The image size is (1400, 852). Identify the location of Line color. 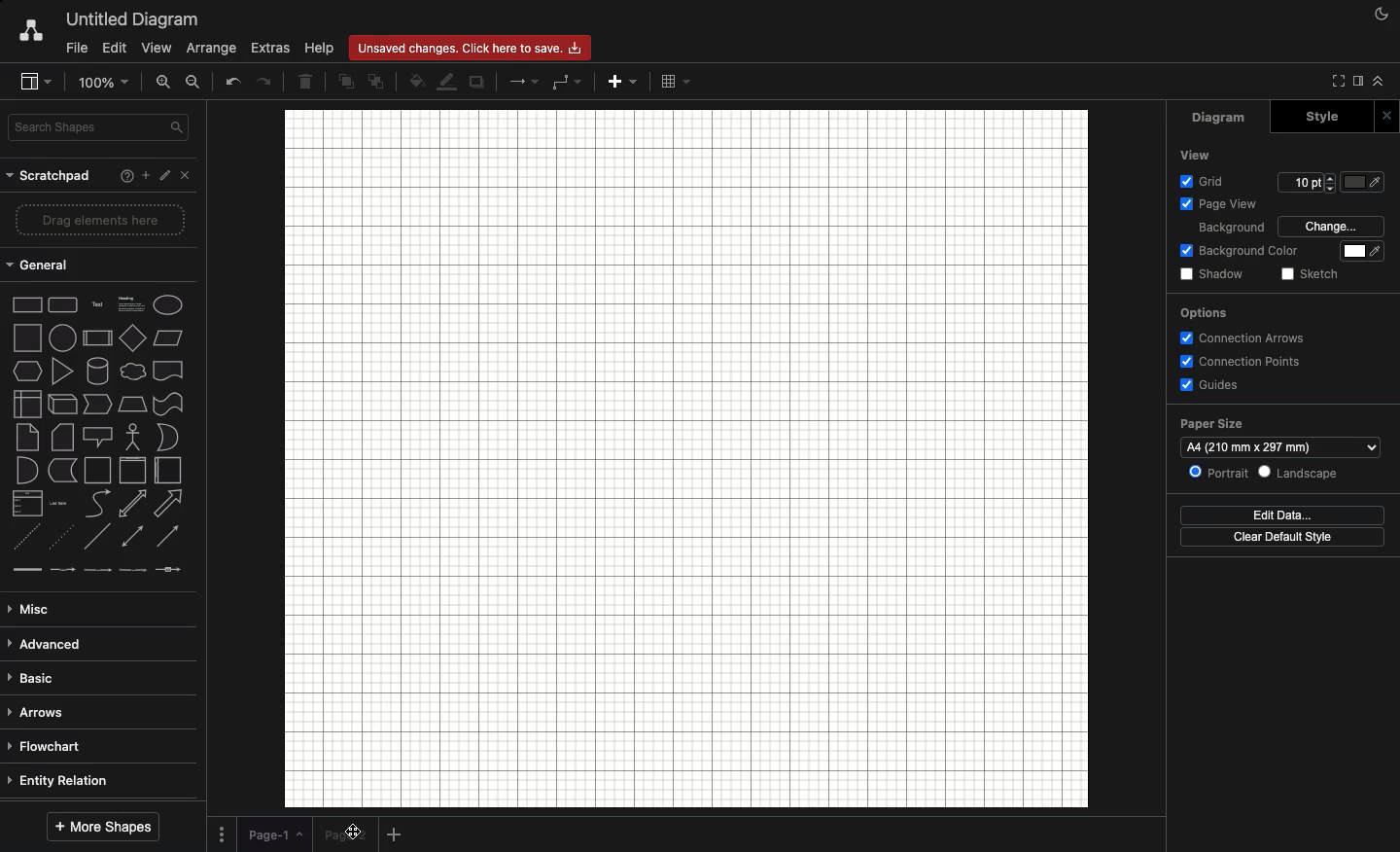
(444, 83).